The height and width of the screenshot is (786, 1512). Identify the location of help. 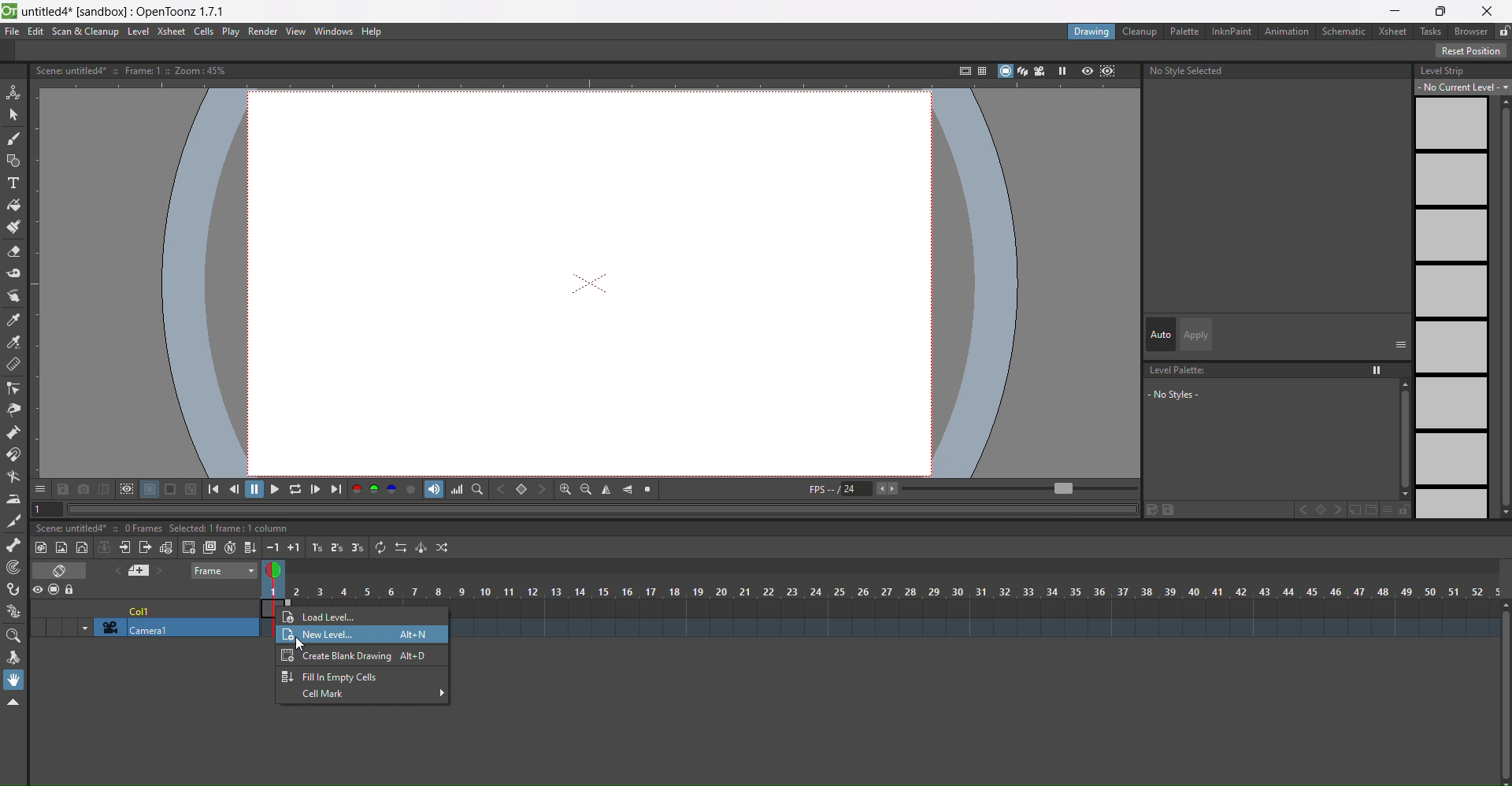
(376, 32).